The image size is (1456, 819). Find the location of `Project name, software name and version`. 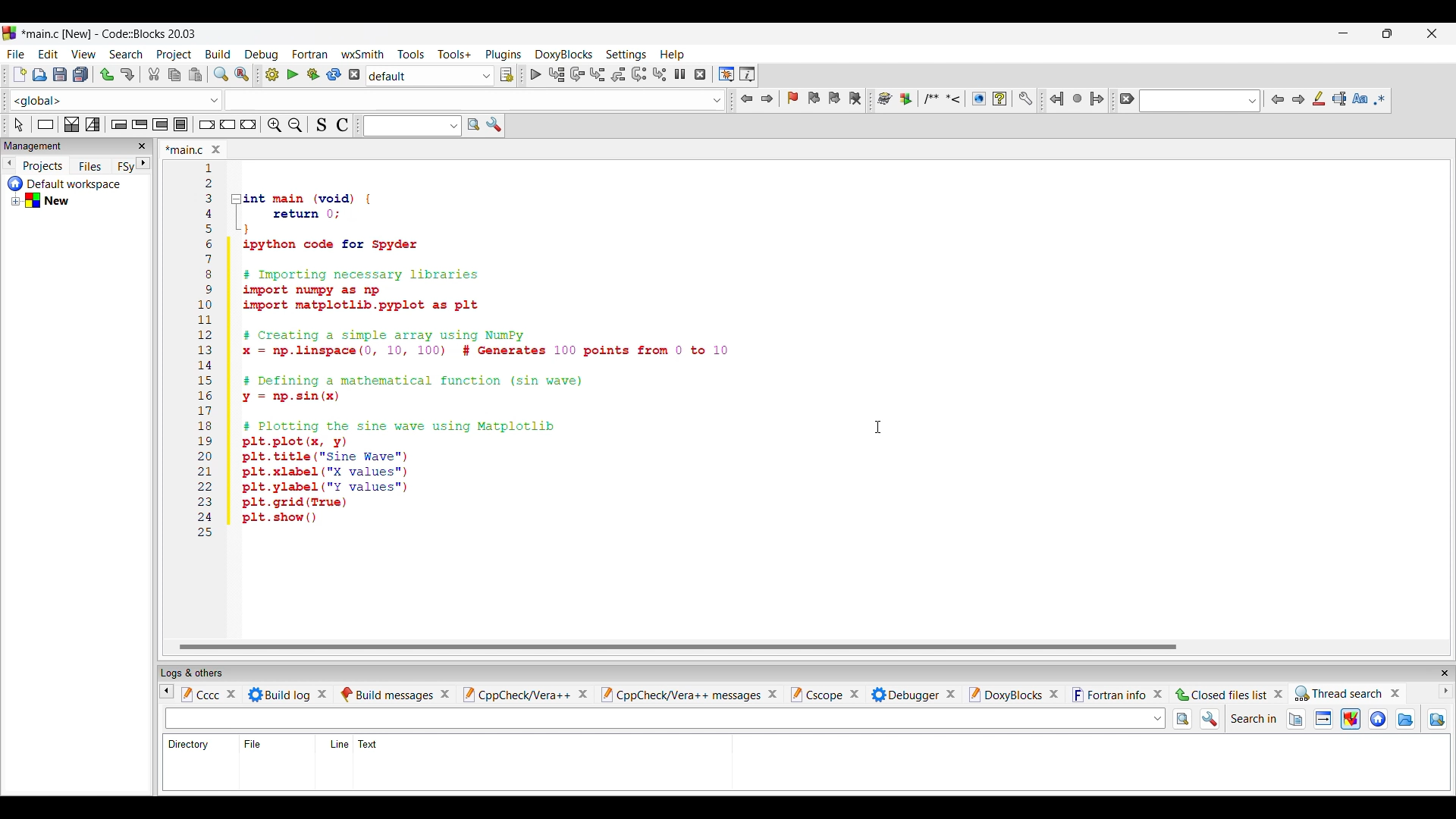

Project name, software name and version is located at coordinates (113, 33).